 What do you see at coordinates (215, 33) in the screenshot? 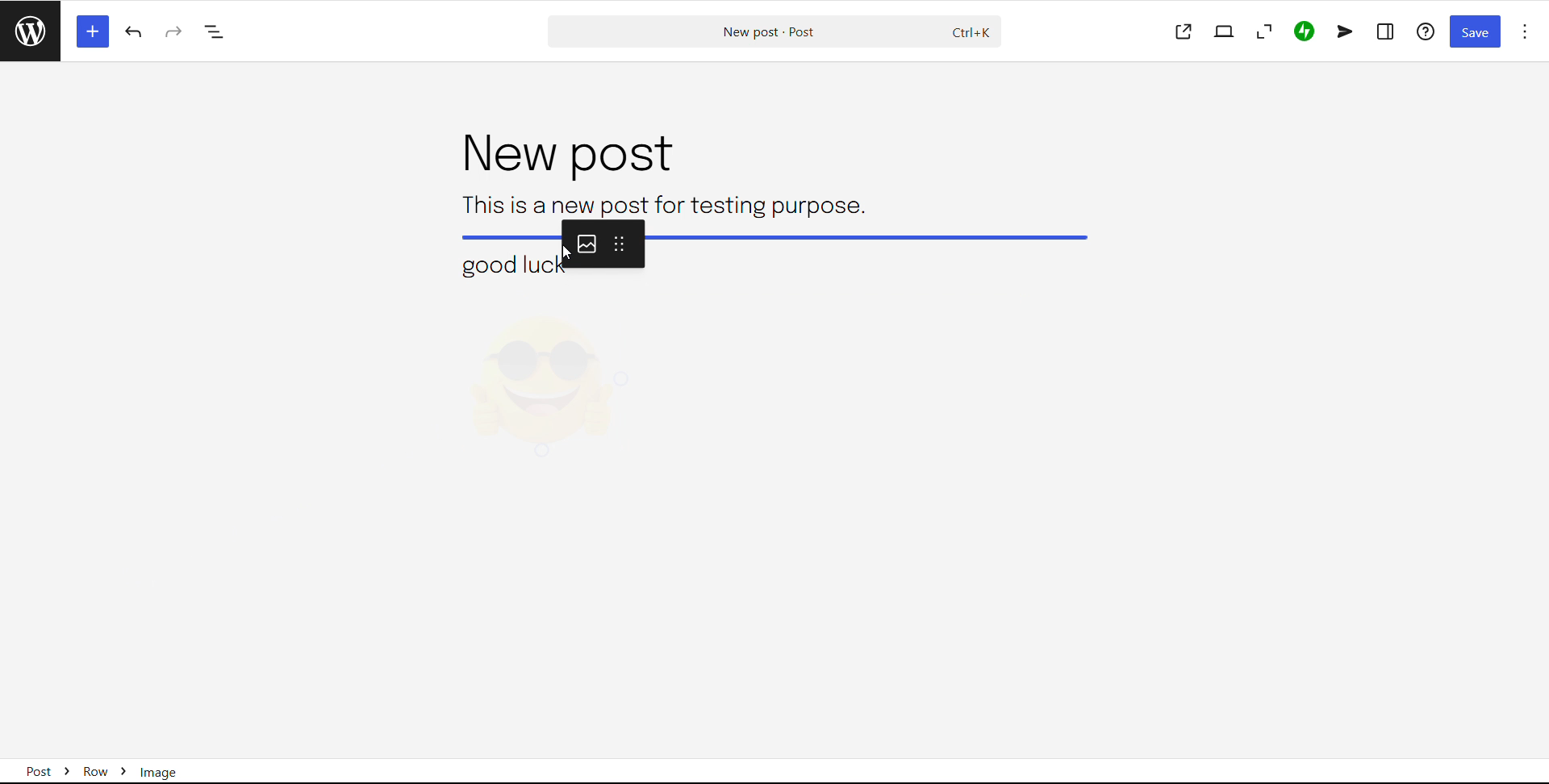
I see `document overview` at bounding box center [215, 33].